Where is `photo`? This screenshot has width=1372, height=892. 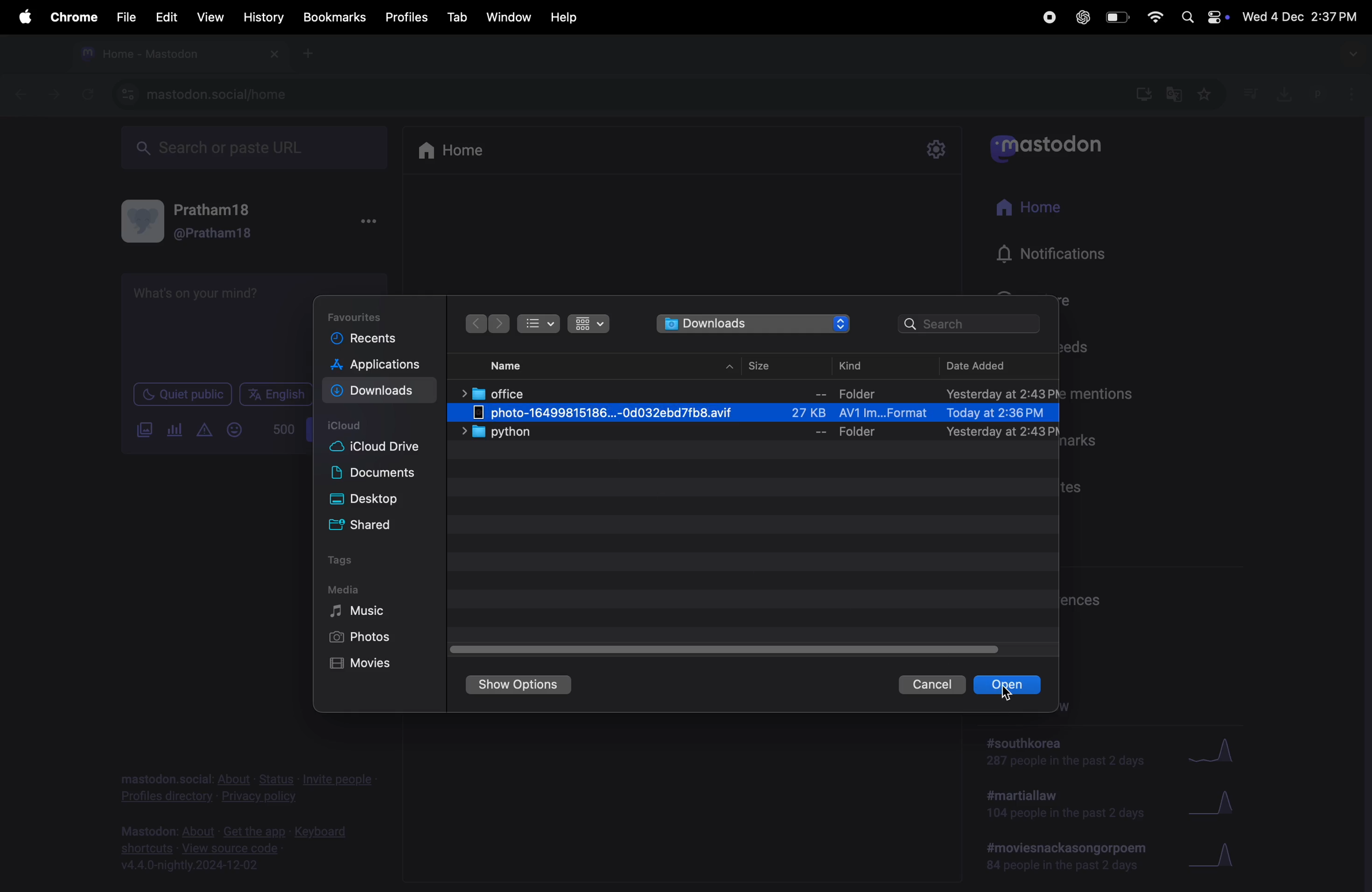
photo is located at coordinates (763, 414).